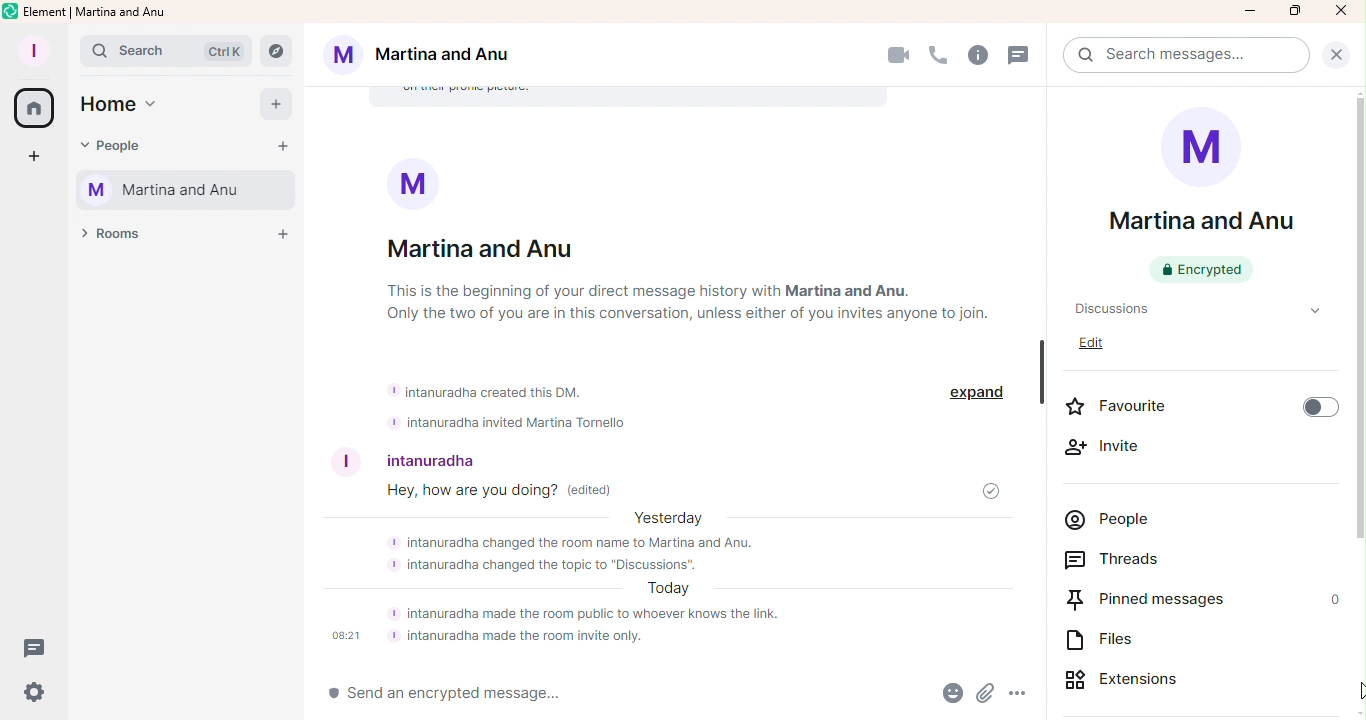 Image resolution: width=1366 pixels, height=720 pixels. What do you see at coordinates (1138, 600) in the screenshot?
I see `Pinned messages` at bounding box center [1138, 600].